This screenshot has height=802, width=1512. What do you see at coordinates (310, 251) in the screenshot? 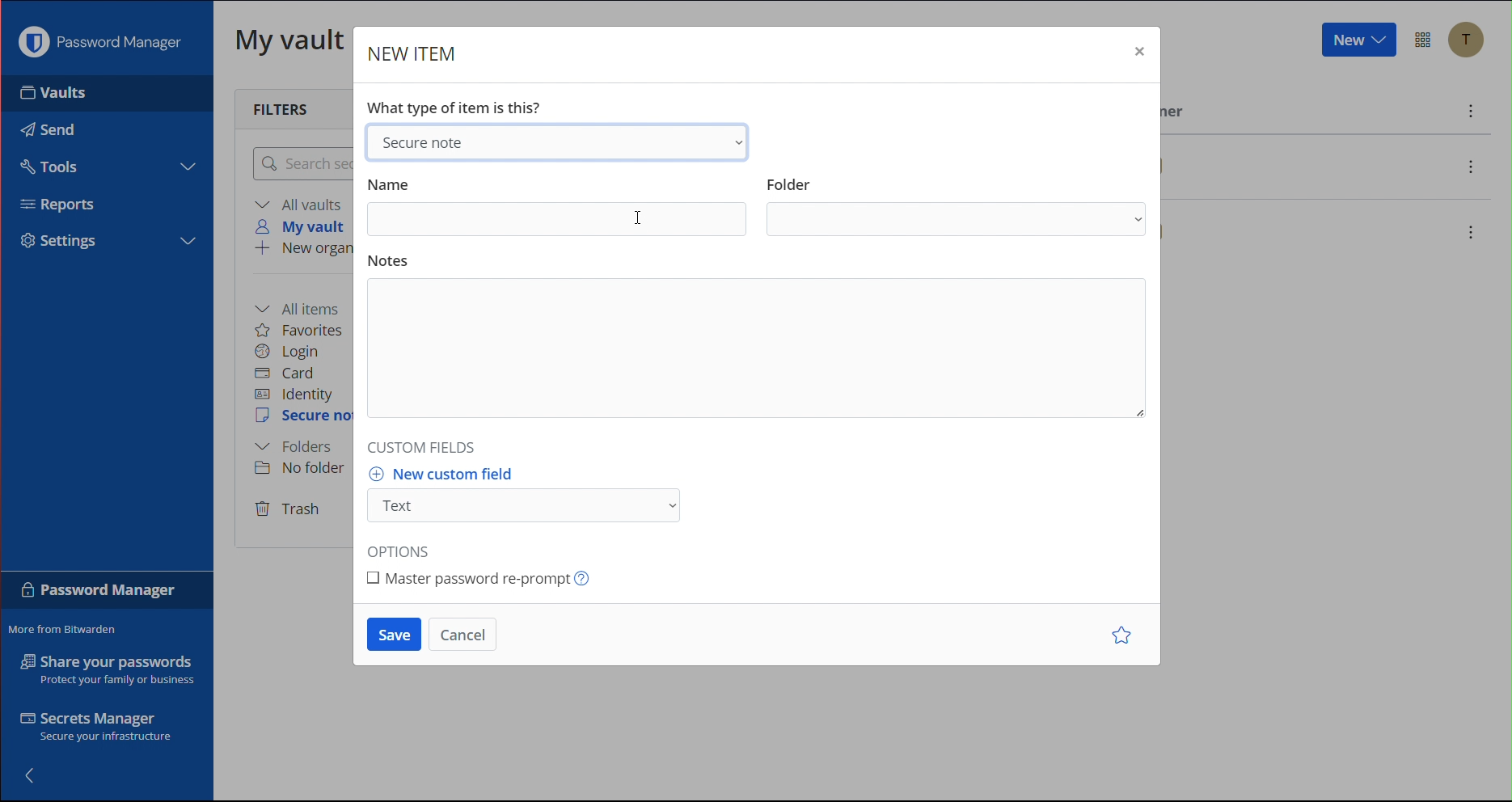
I see `New organization` at bounding box center [310, 251].